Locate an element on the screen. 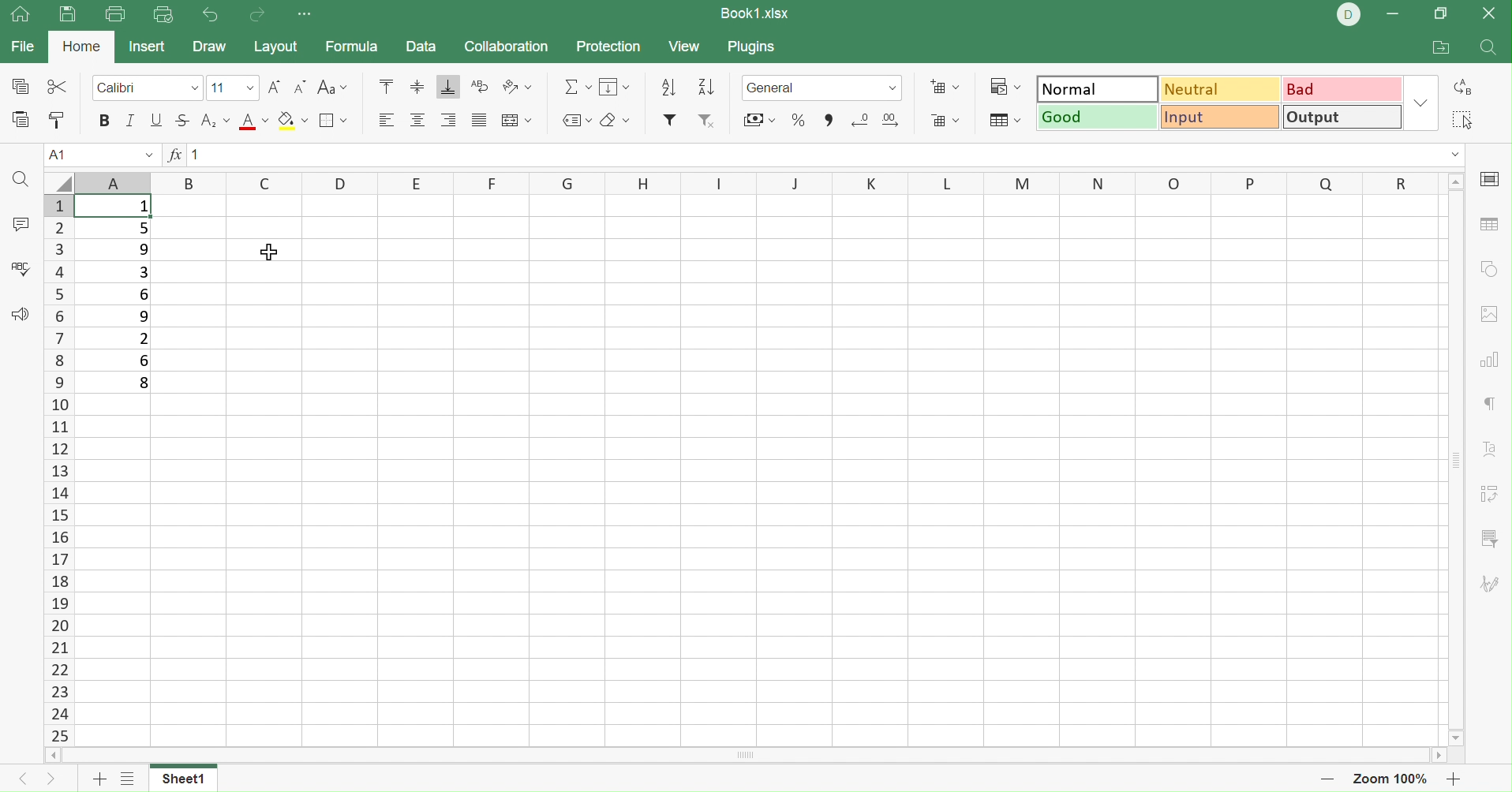 This screenshot has width=1512, height=792. Comma is located at coordinates (827, 120).